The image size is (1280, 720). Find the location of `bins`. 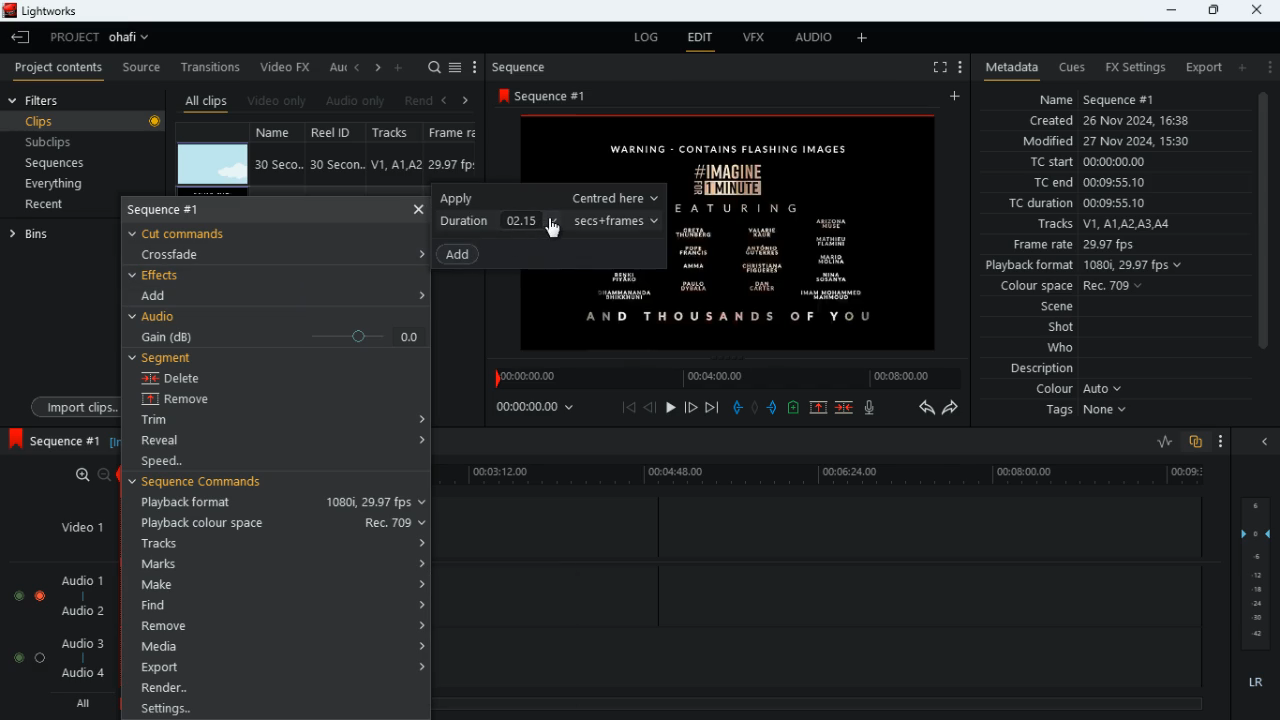

bins is located at coordinates (55, 233).